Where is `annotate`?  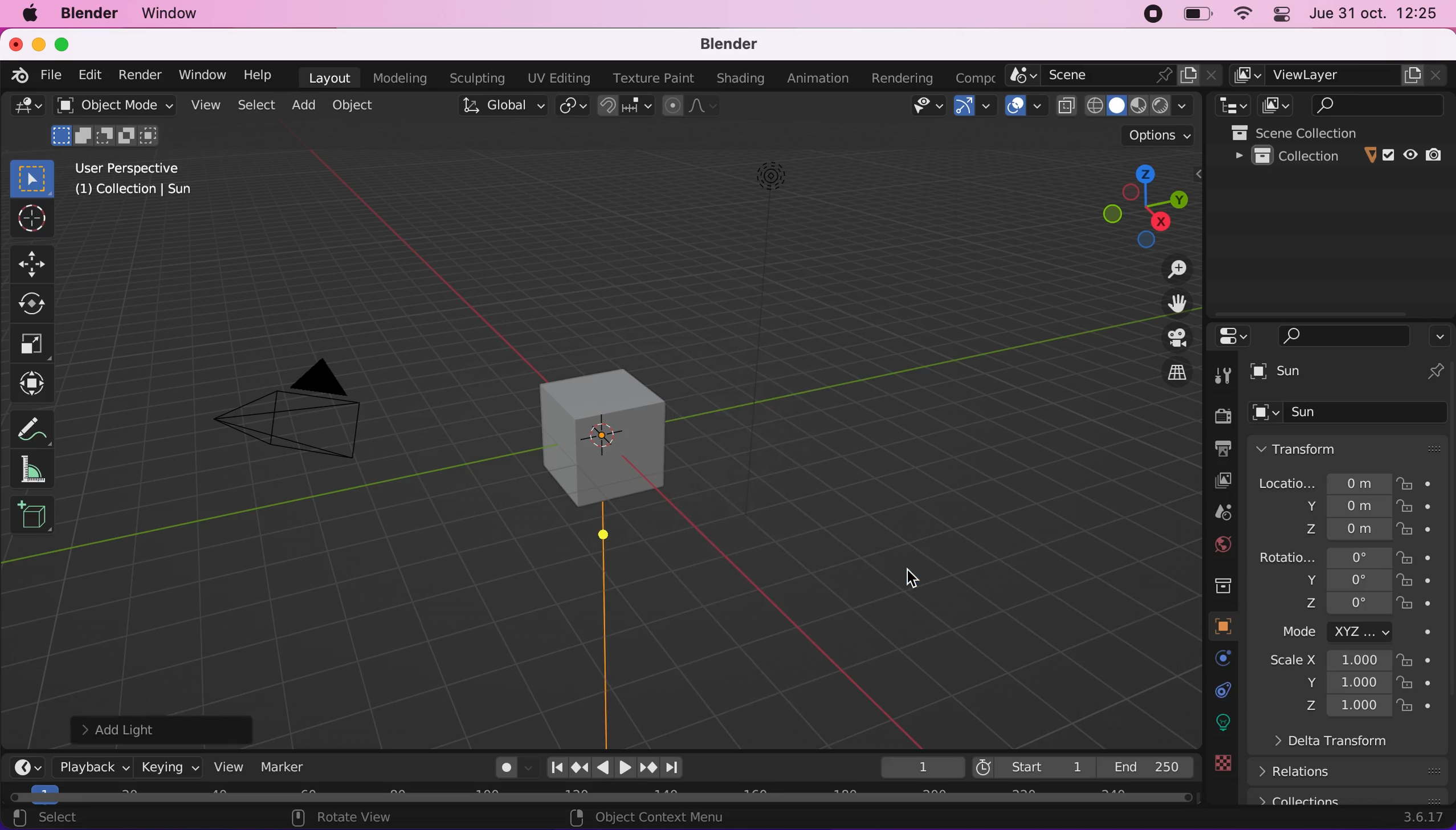 annotate is located at coordinates (40, 470).